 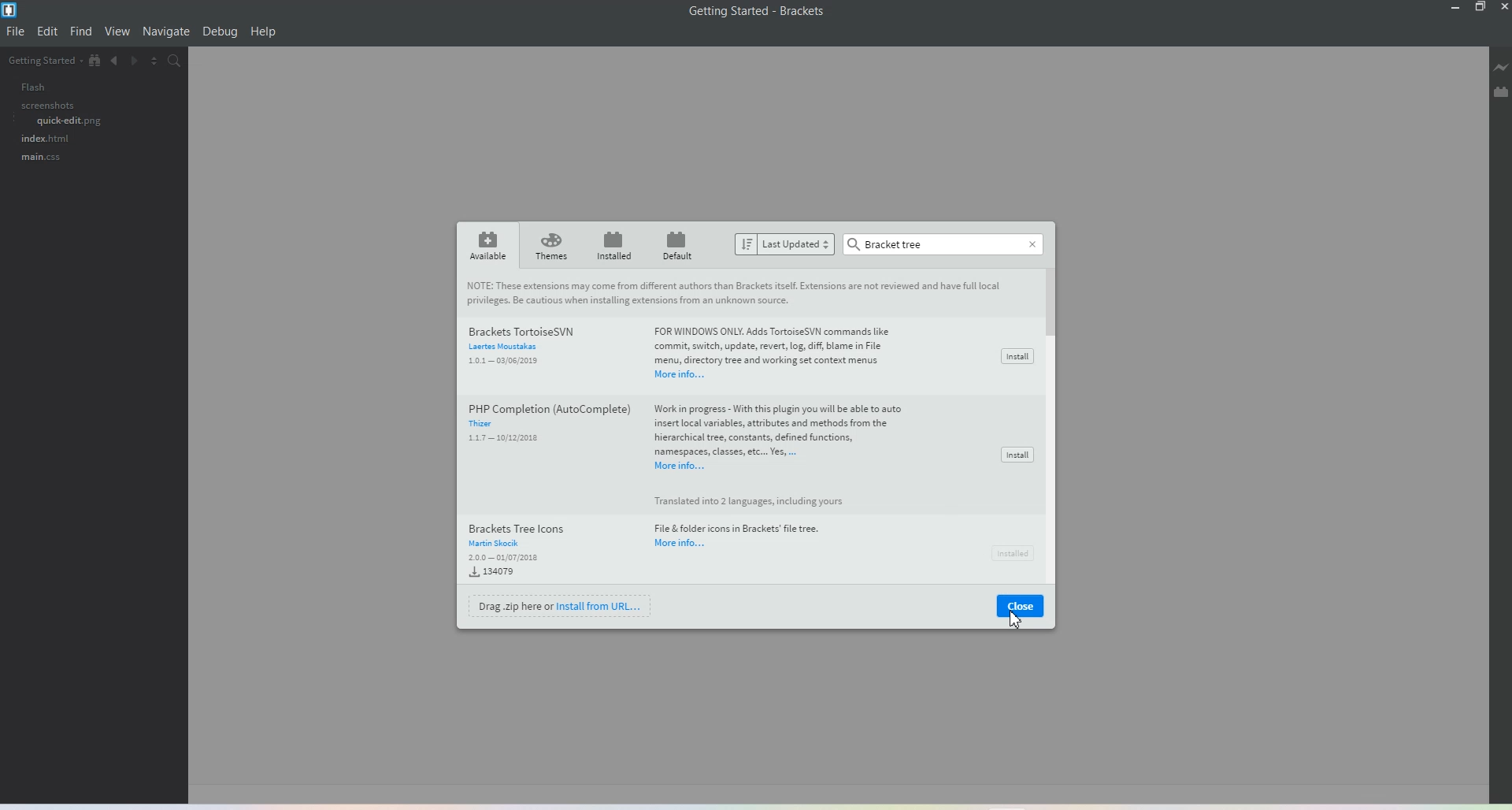 I want to click on Close, so click(x=1021, y=607).